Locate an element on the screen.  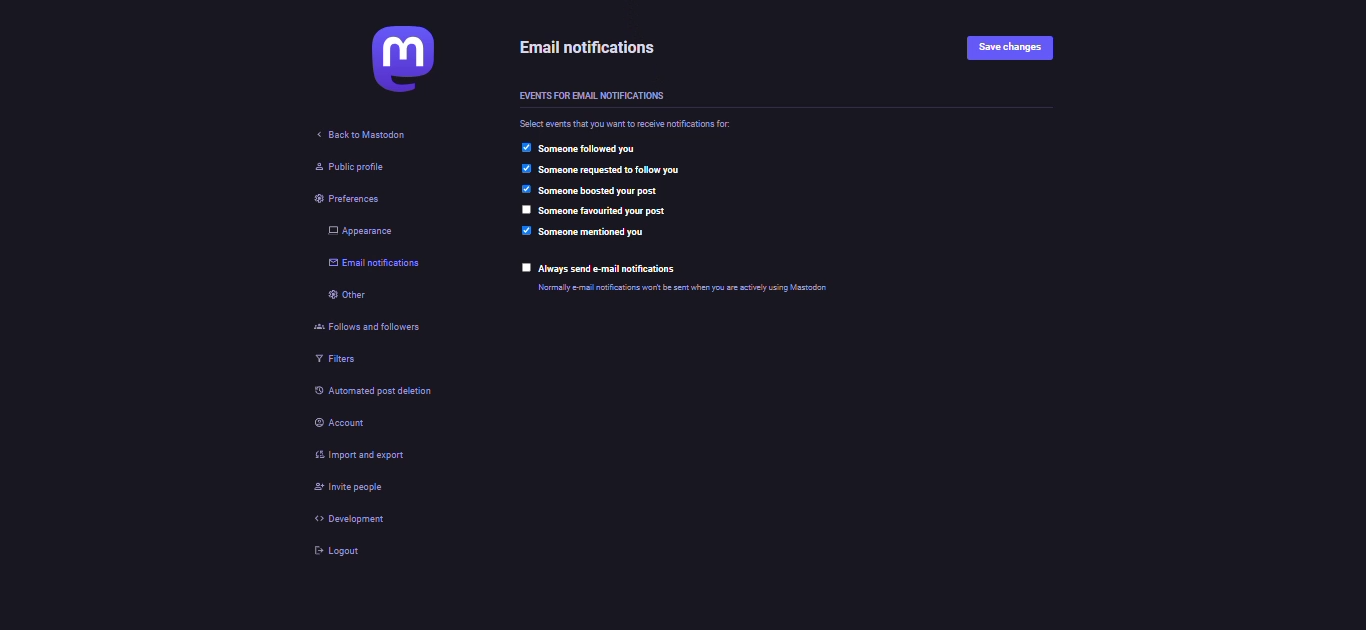
save changes is located at coordinates (1016, 48).